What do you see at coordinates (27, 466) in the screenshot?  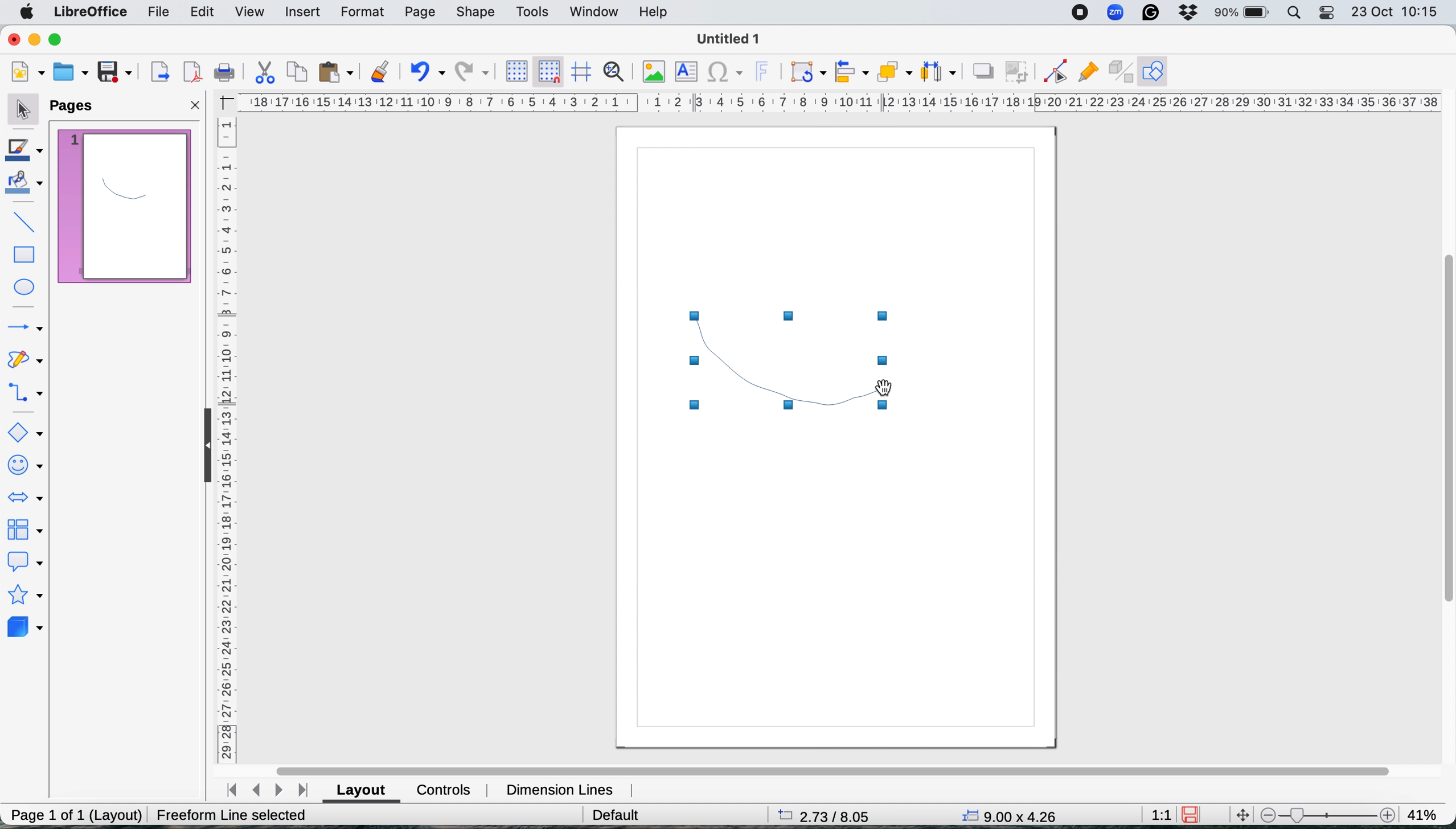 I see `symbol shapes` at bounding box center [27, 466].